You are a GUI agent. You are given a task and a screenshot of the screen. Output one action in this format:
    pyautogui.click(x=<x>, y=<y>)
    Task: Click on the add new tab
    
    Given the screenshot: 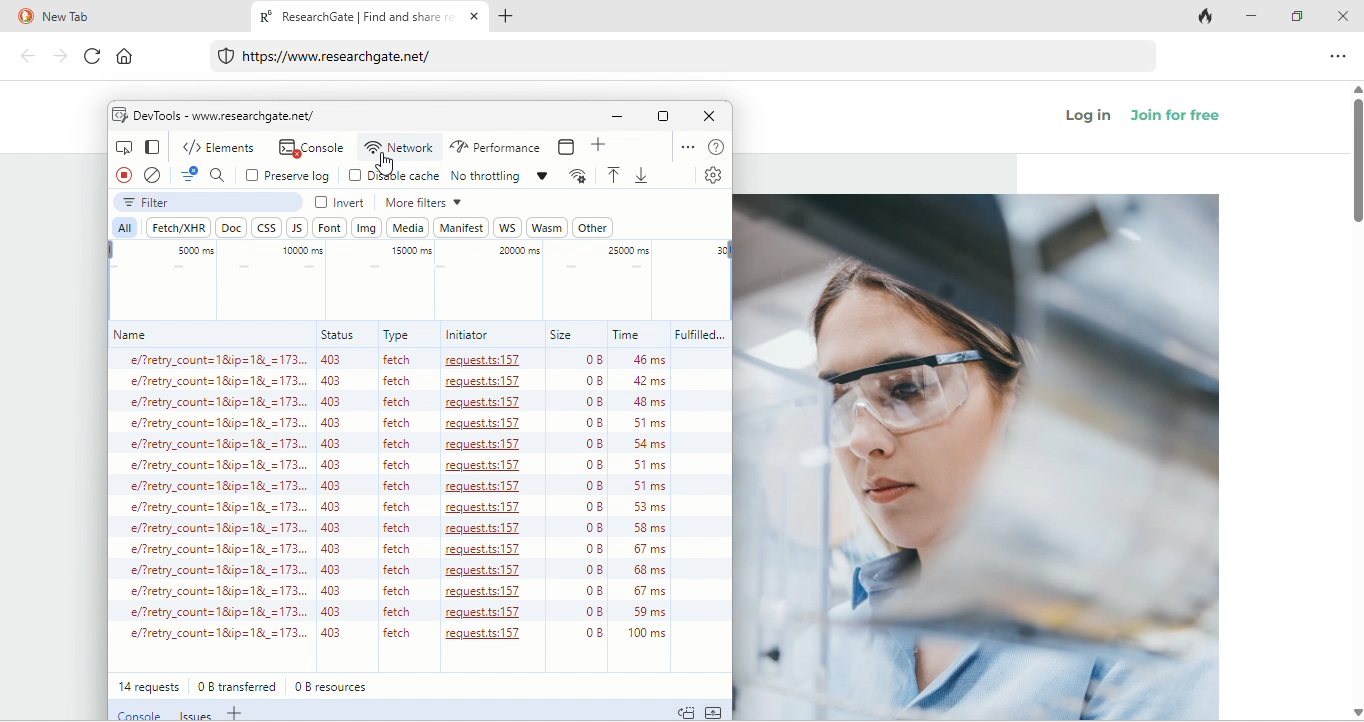 What is the action you would take?
    pyautogui.click(x=516, y=18)
    